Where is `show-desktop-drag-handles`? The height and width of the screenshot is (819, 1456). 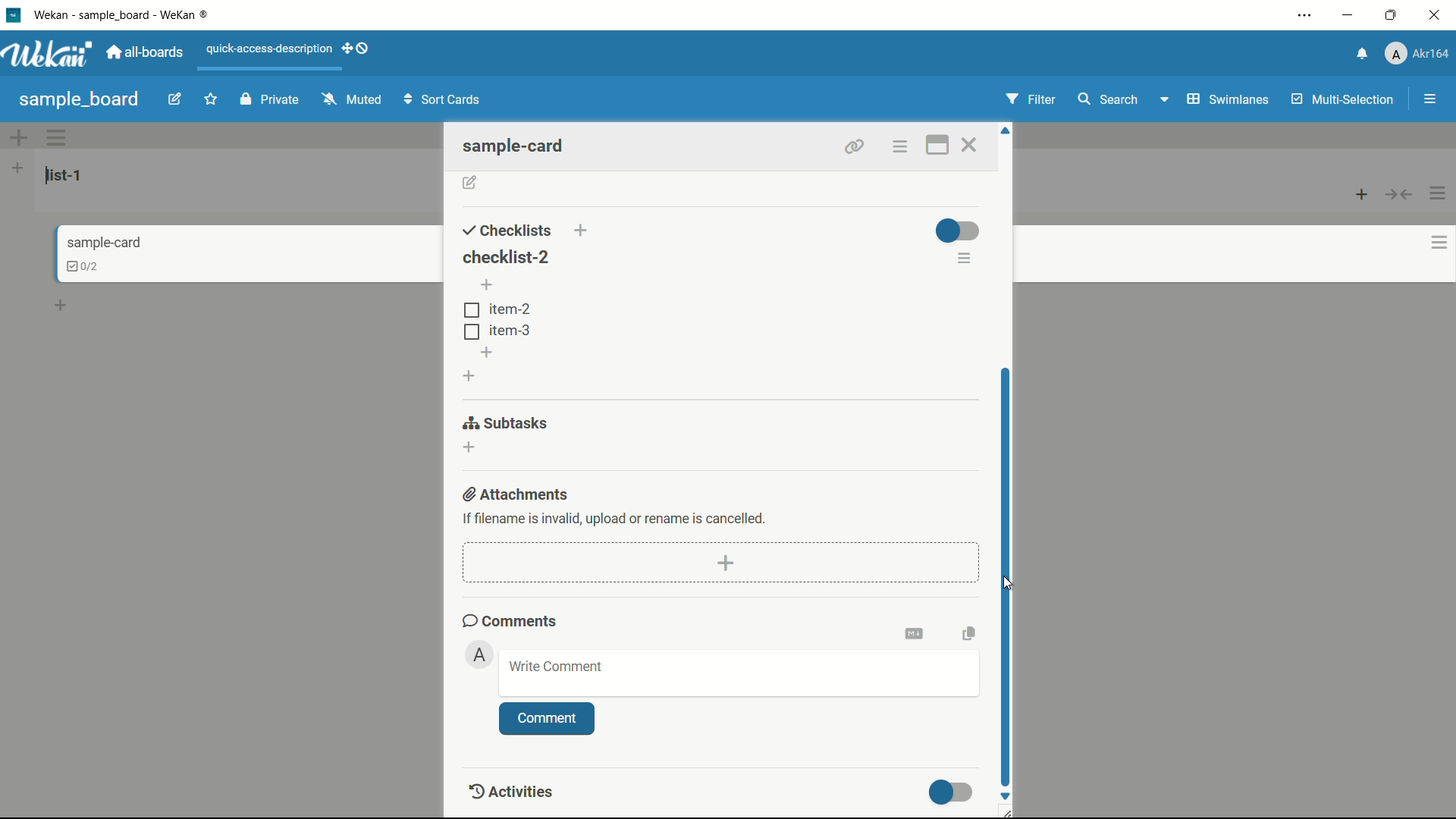
show-desktop-drag-handles is located at coordinates (357, 50).